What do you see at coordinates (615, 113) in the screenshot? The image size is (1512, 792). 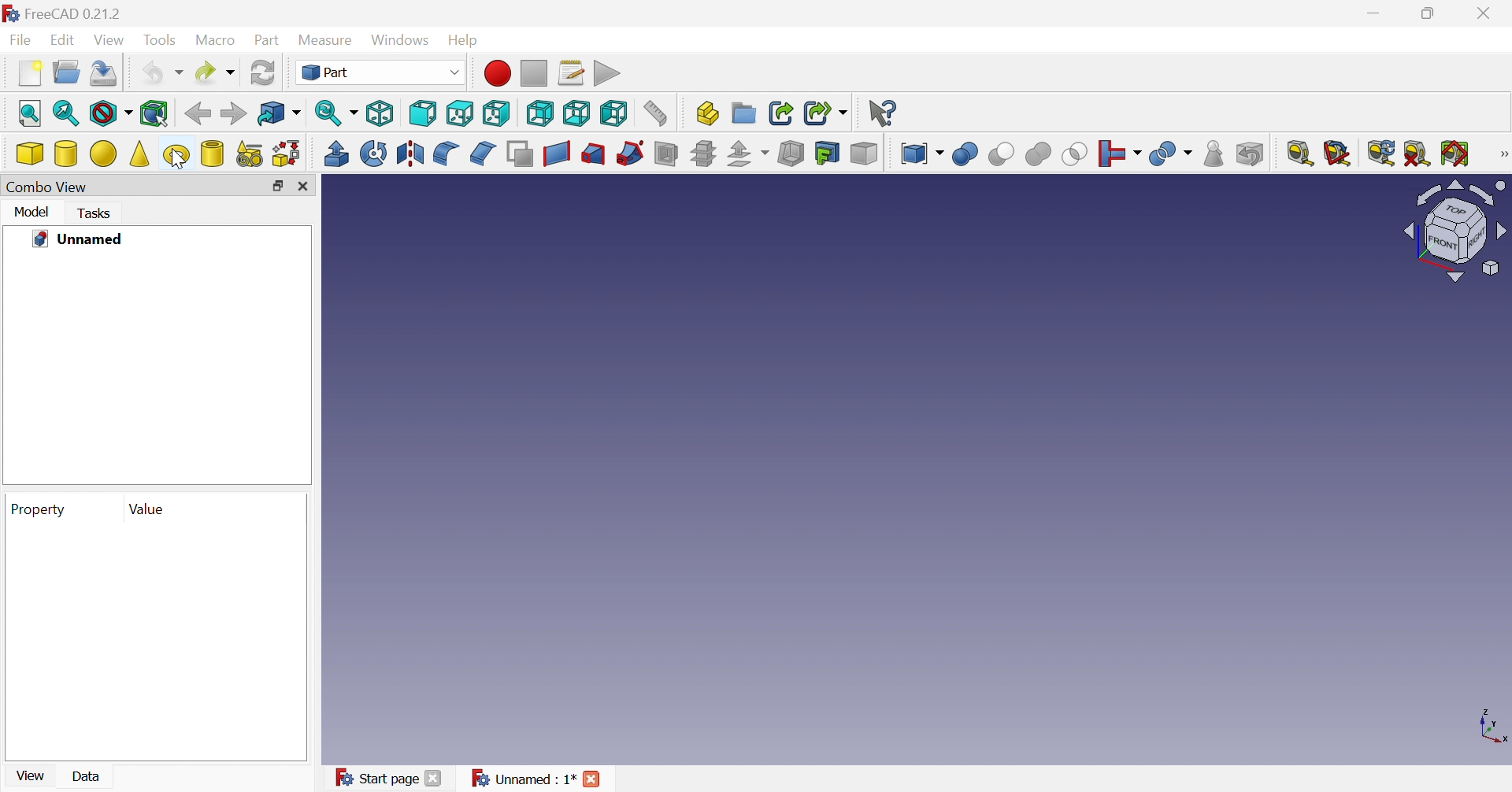 I see `Left` at bounding box center [615, 113].